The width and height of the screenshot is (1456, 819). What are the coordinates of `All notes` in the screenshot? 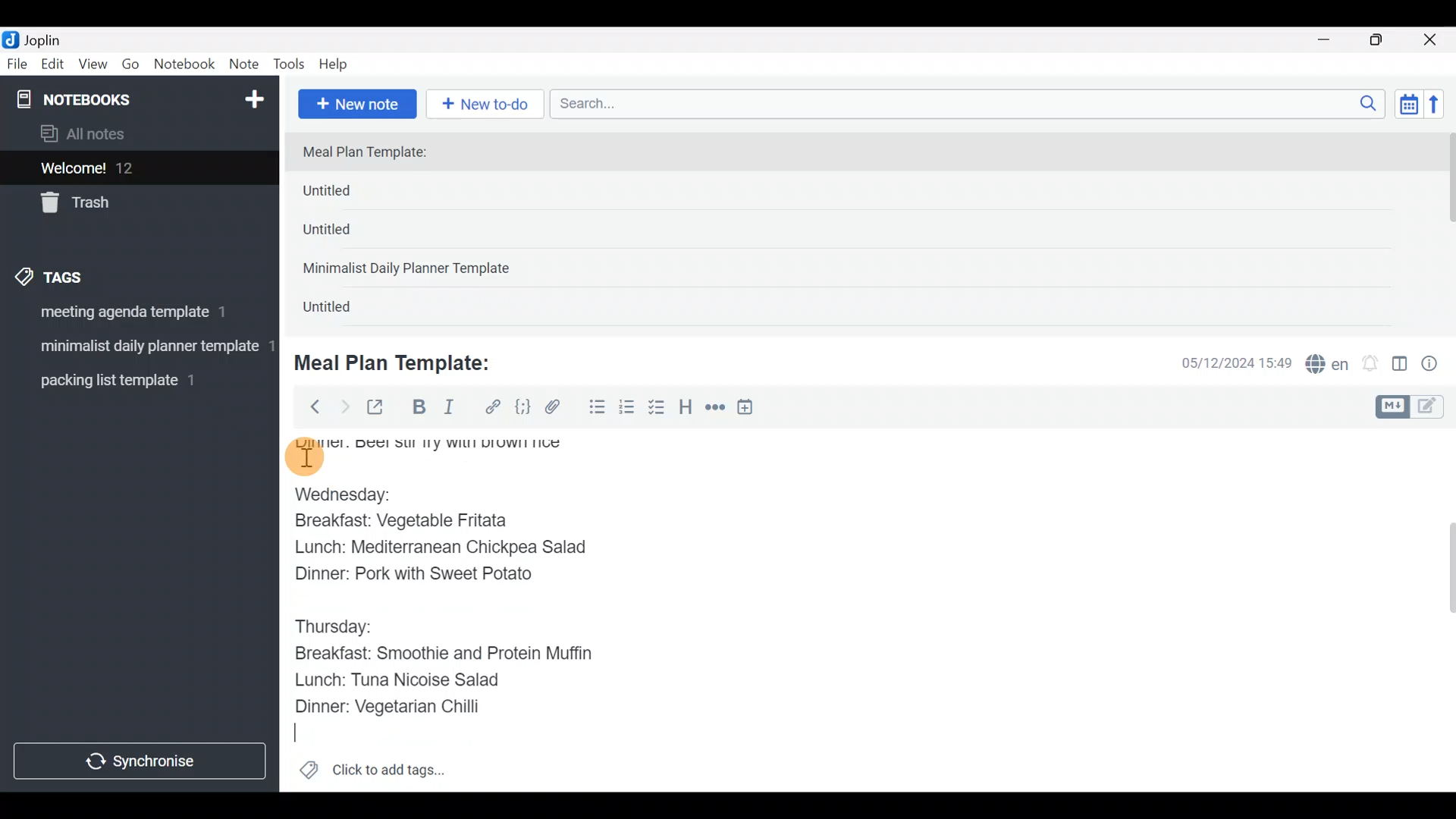 It's located at (136, 135).